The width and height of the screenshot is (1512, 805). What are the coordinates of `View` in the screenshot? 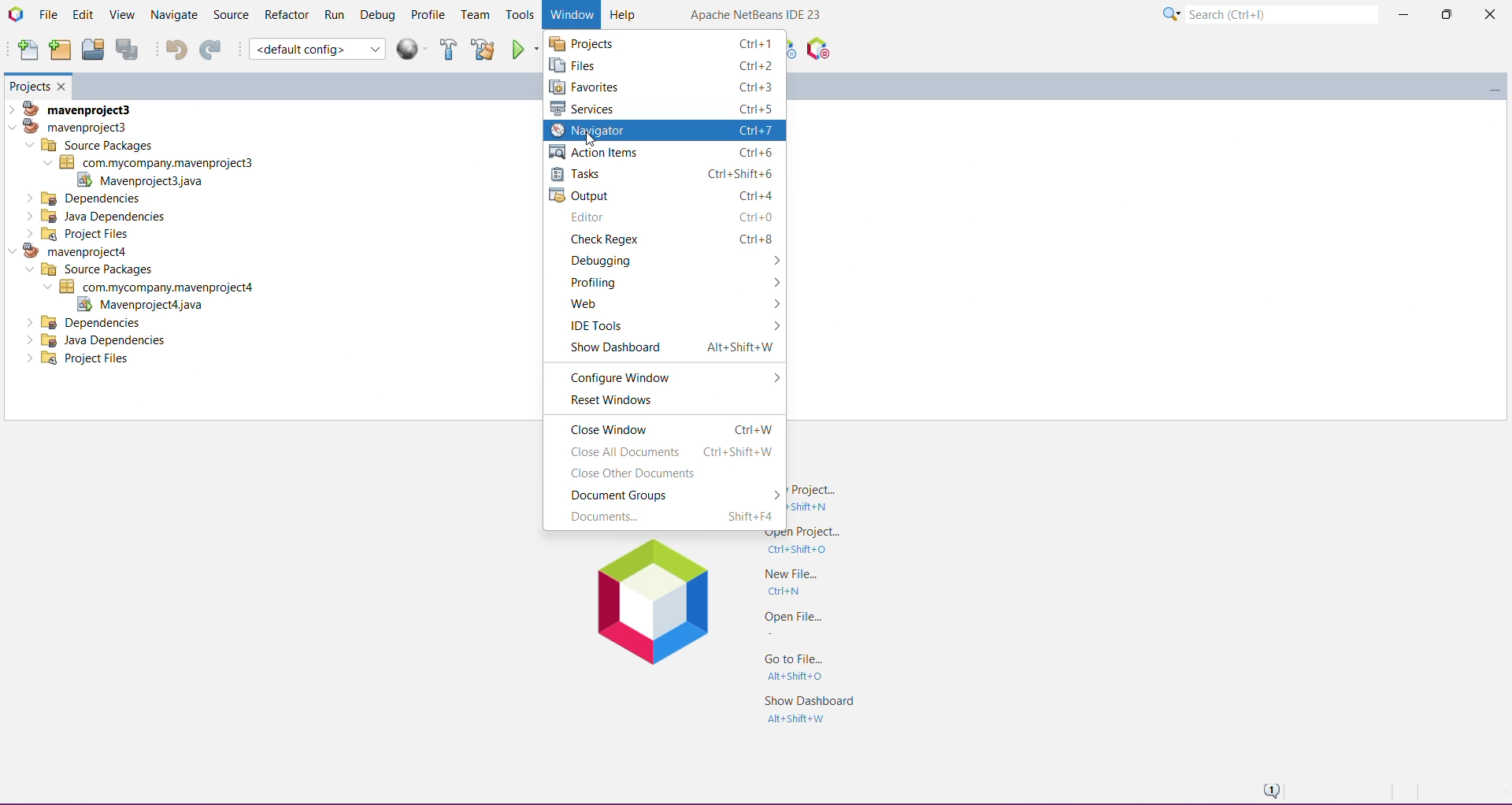 It's located at (120, 16).